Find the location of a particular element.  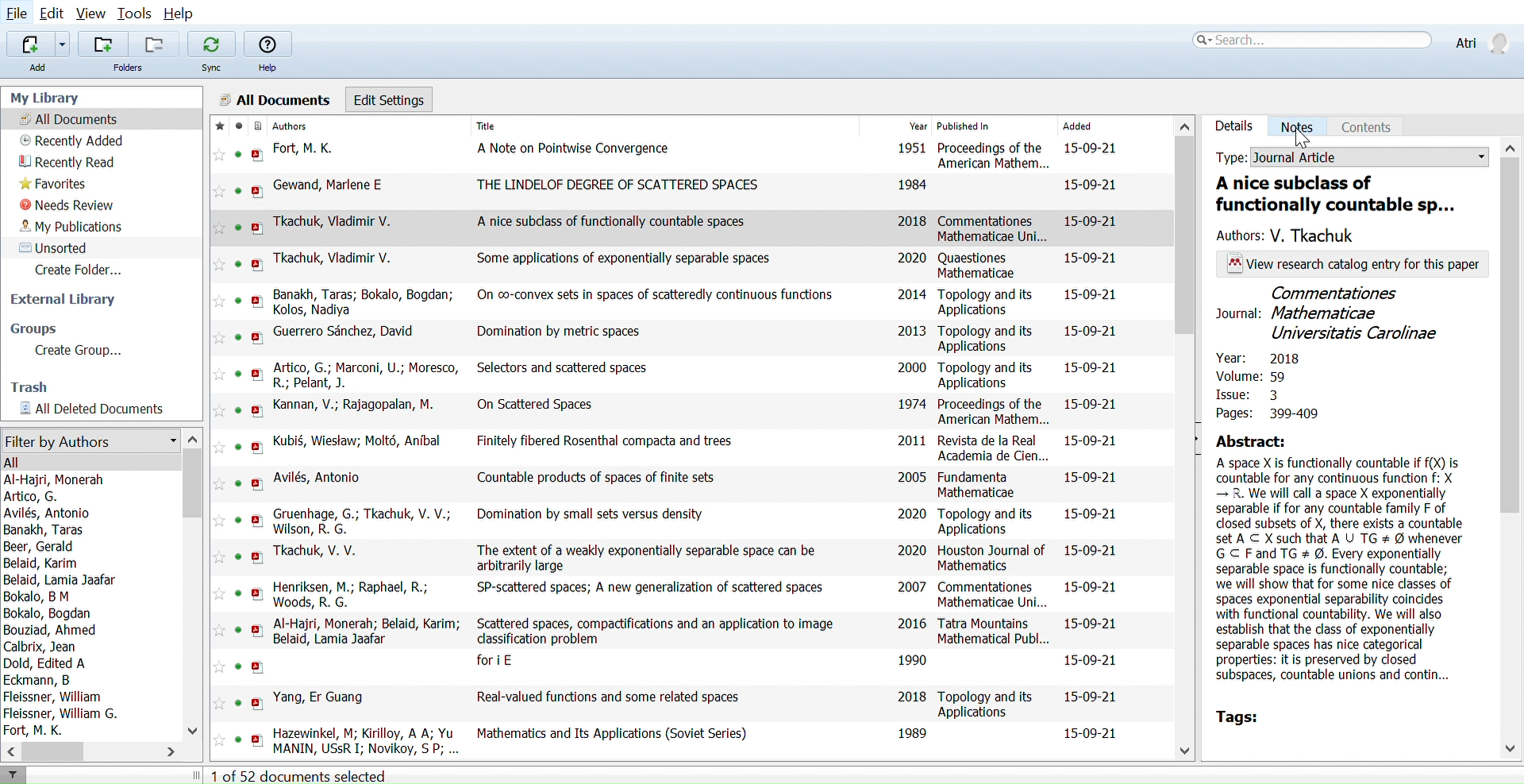

Belaid, Karim is located at coordinates (43, 564).